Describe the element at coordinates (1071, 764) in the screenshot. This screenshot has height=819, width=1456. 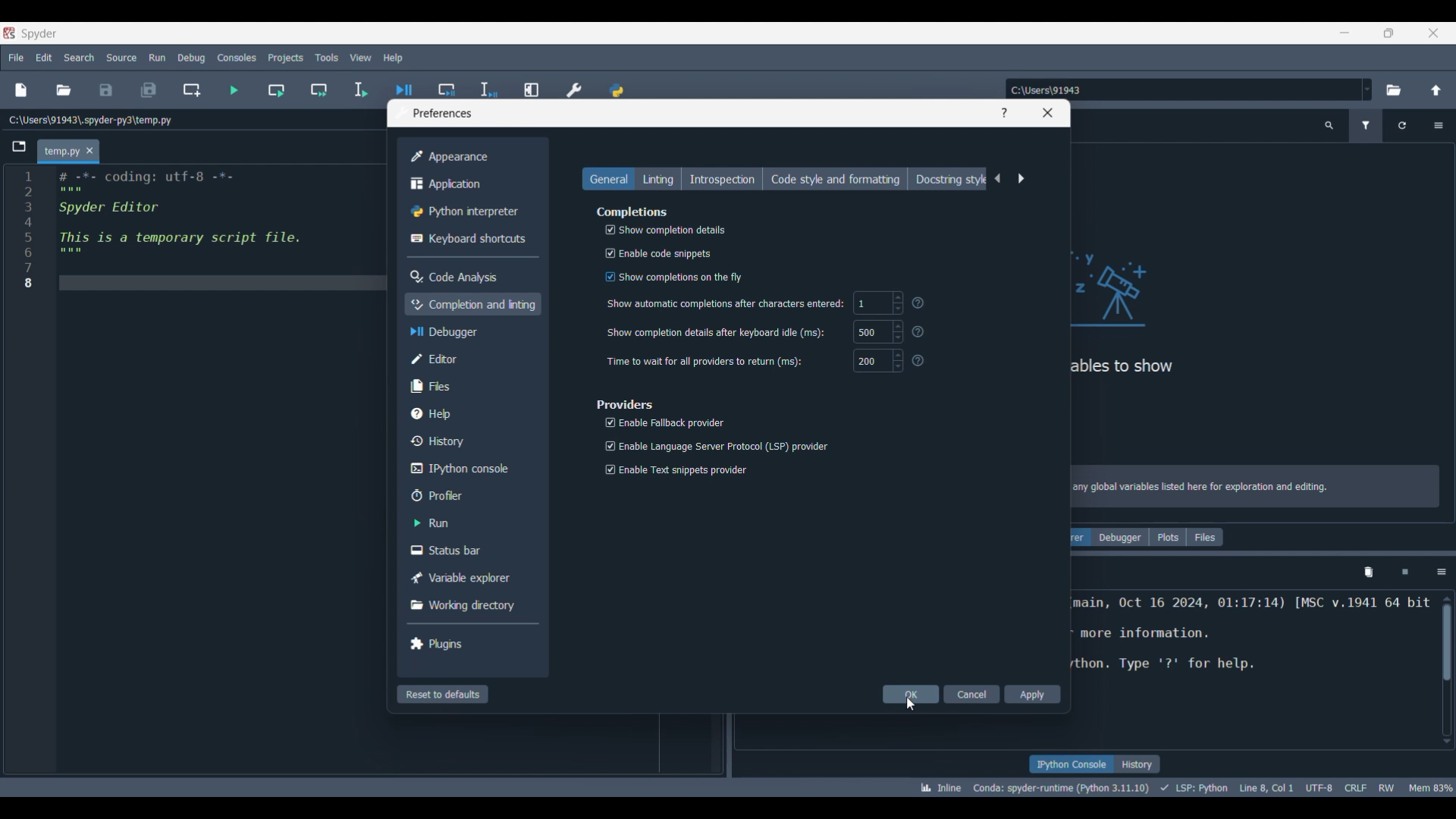
I see `IPython console` at that location.